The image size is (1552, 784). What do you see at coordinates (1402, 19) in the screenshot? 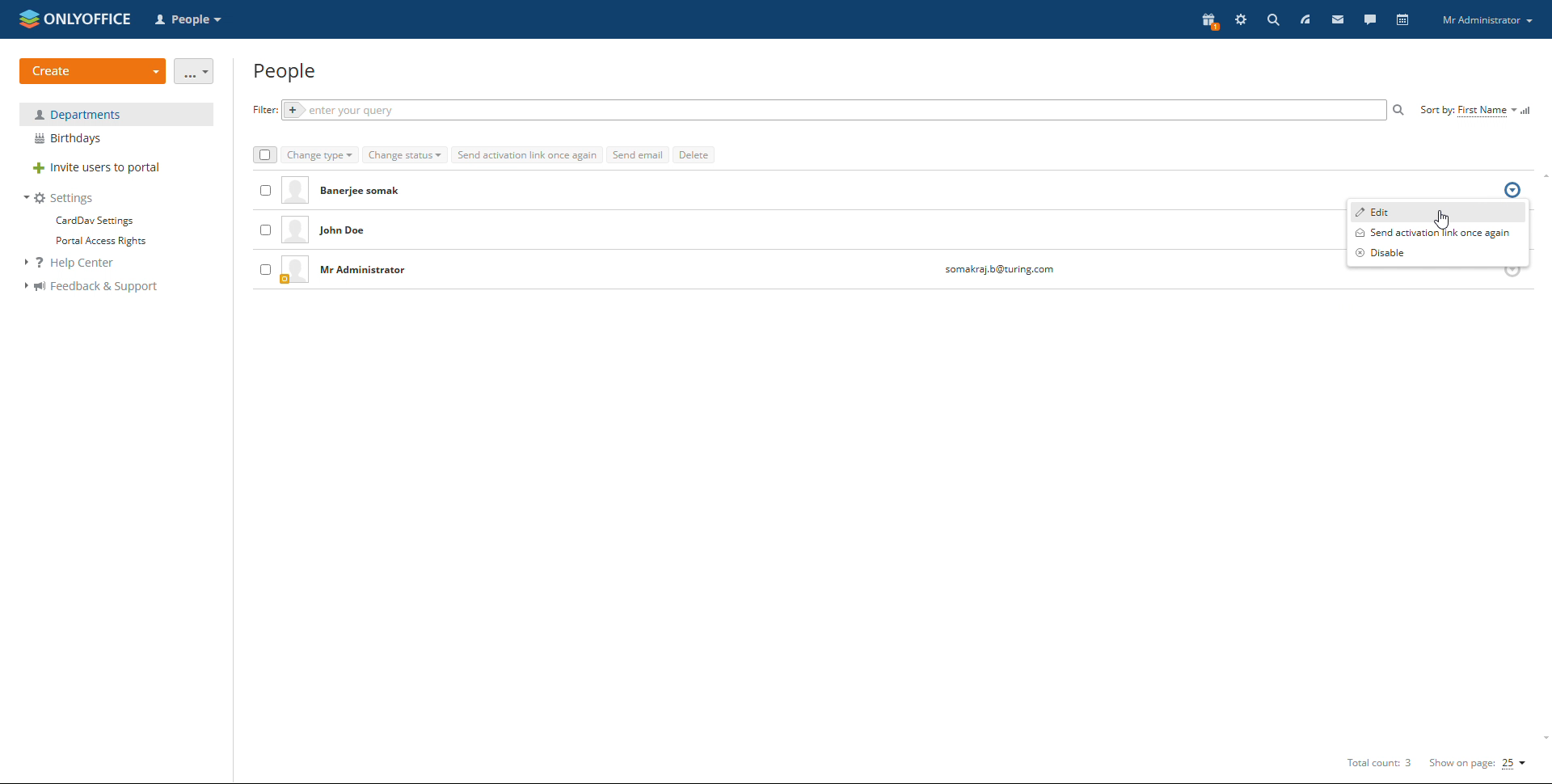
I see `calendar` at bounding box center [1402, 19].